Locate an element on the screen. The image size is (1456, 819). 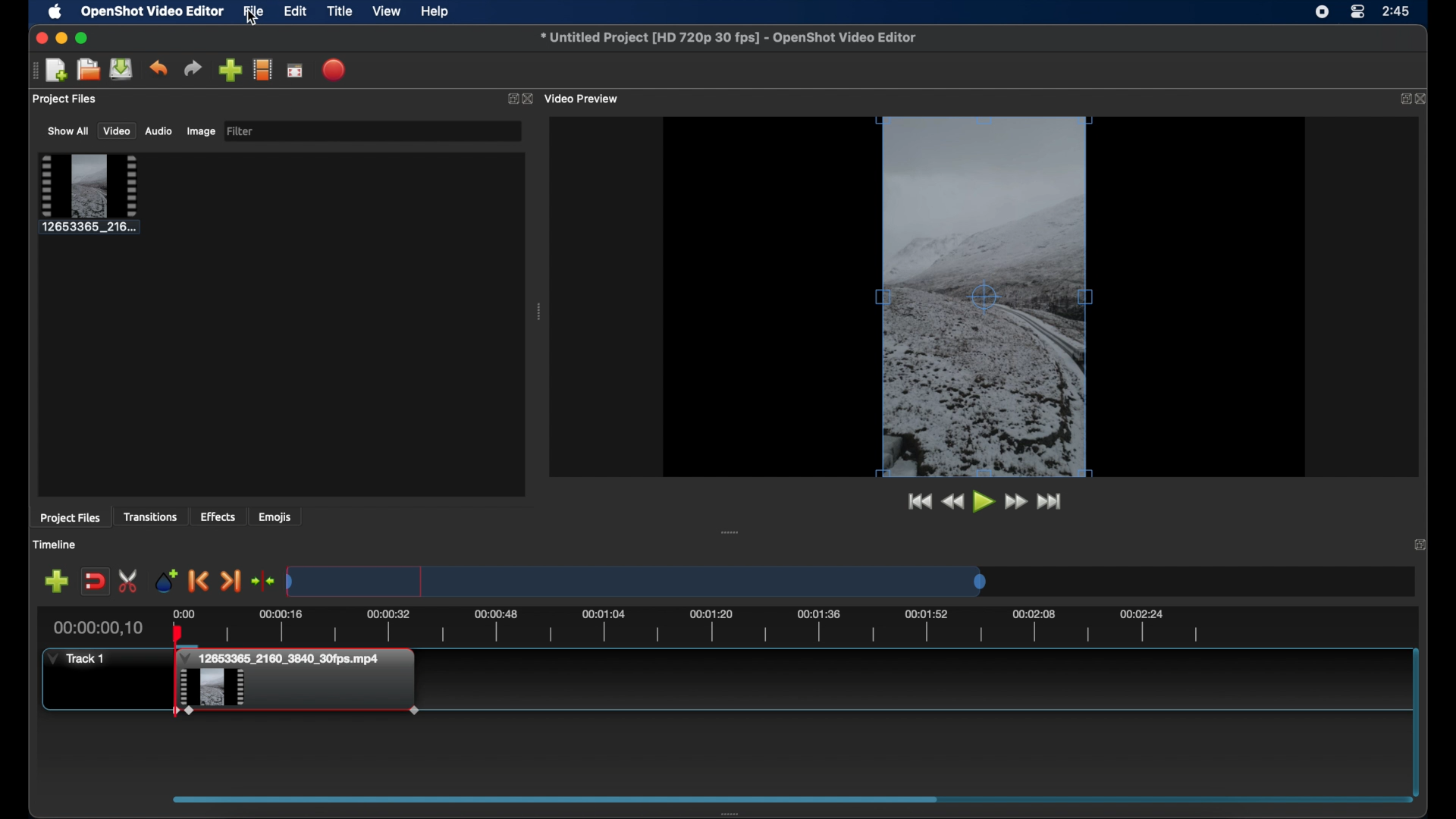
explore profile is located at coordinates (263, 70).